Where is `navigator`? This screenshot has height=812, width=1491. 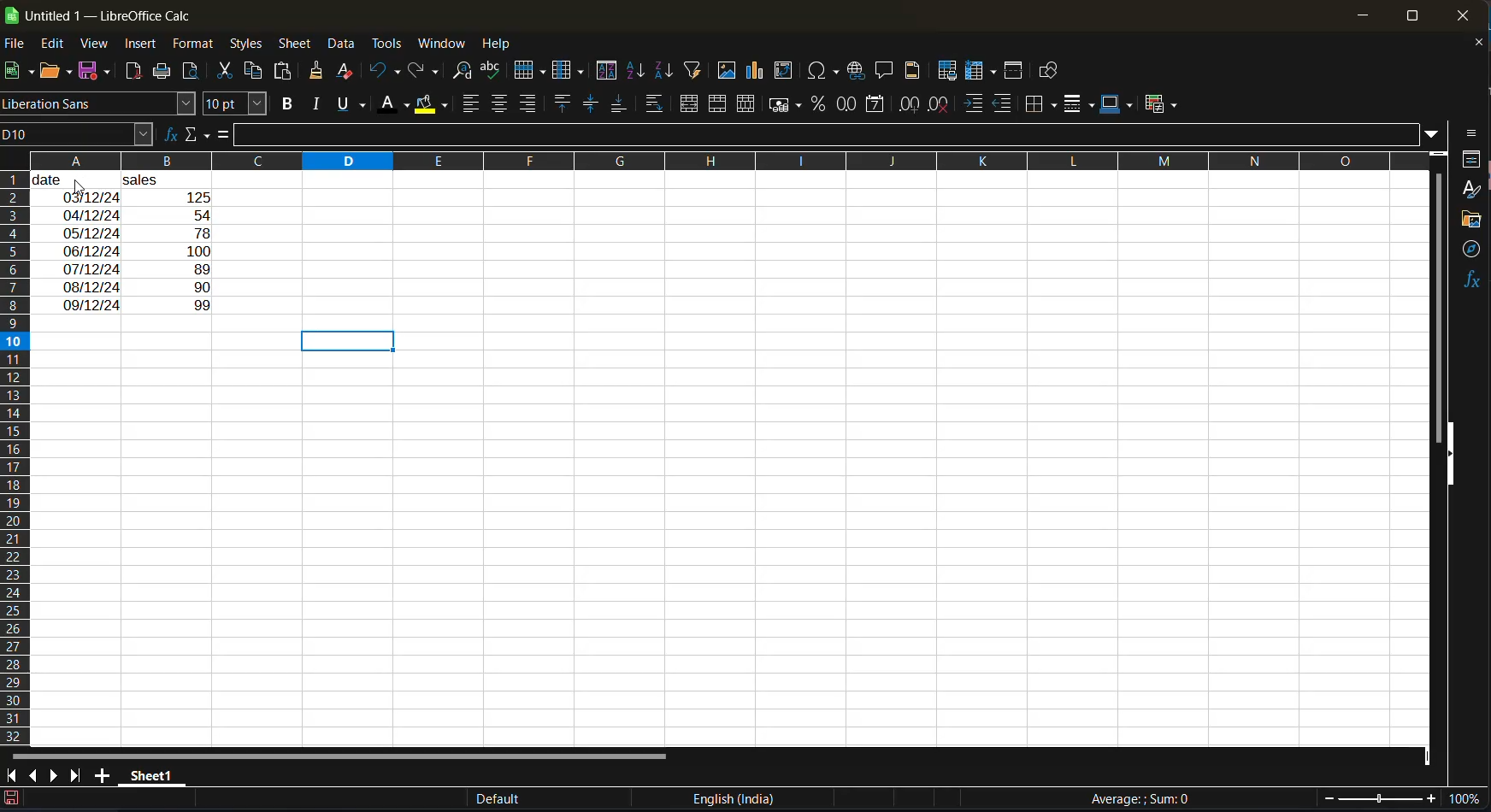 navigator is located at coordinates (1470, 250).